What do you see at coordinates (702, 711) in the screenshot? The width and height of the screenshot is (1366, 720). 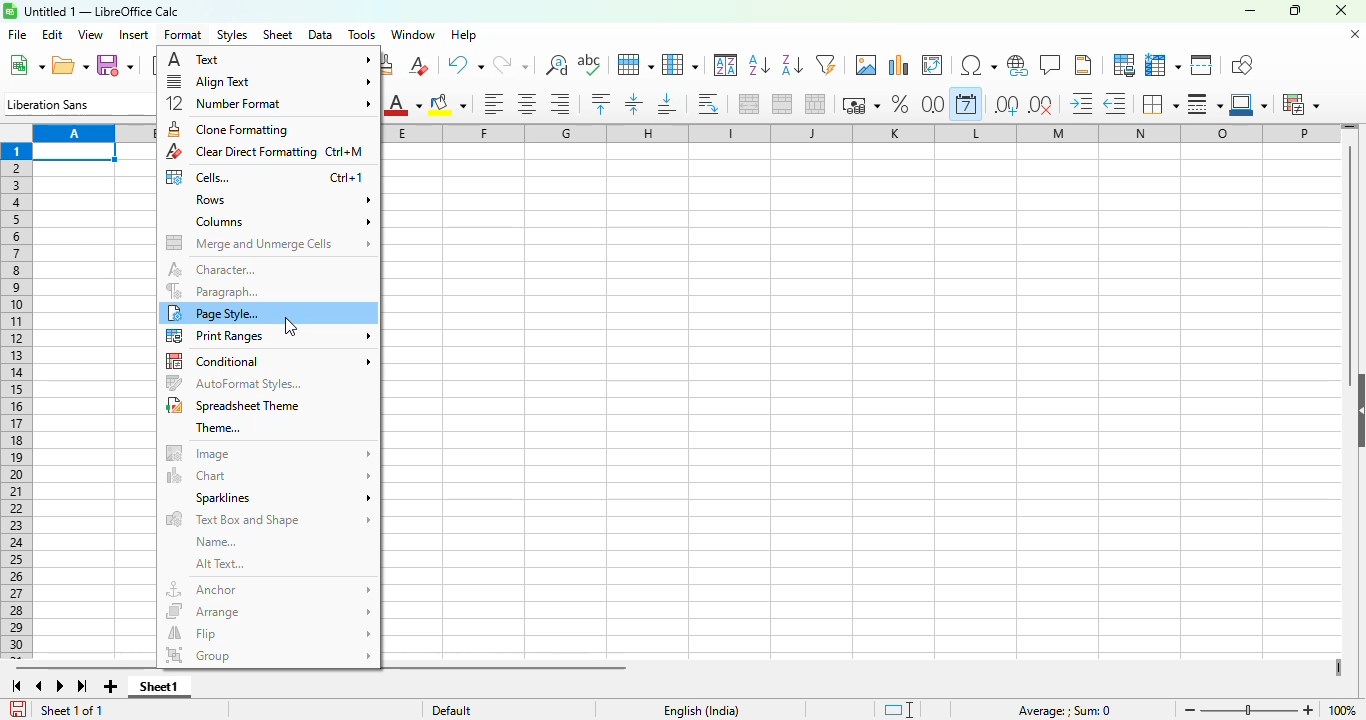 I see `text language` at bounding box center [702, 711].